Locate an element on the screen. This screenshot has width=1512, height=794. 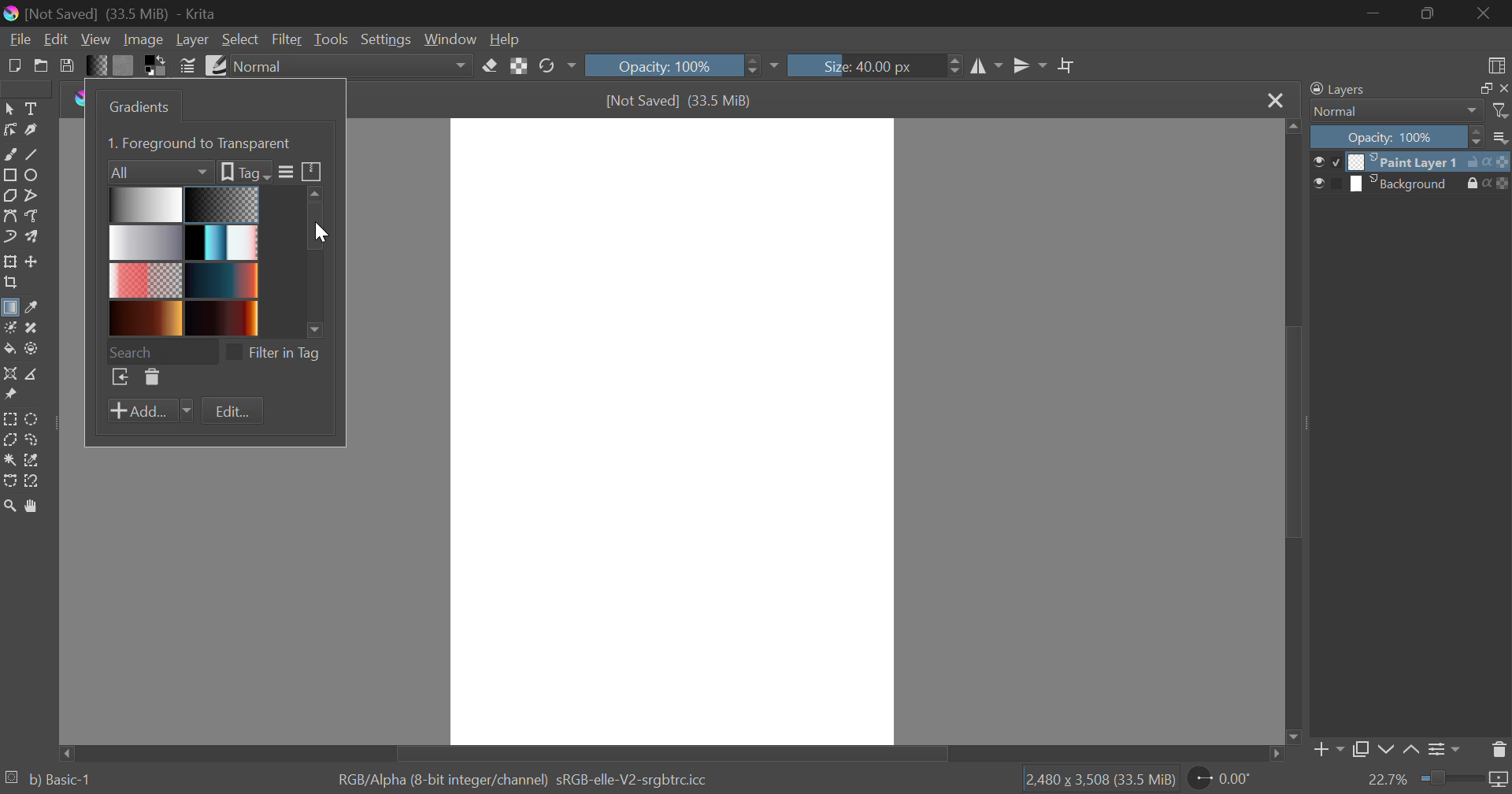
Open is located at coordinates (41, 65).